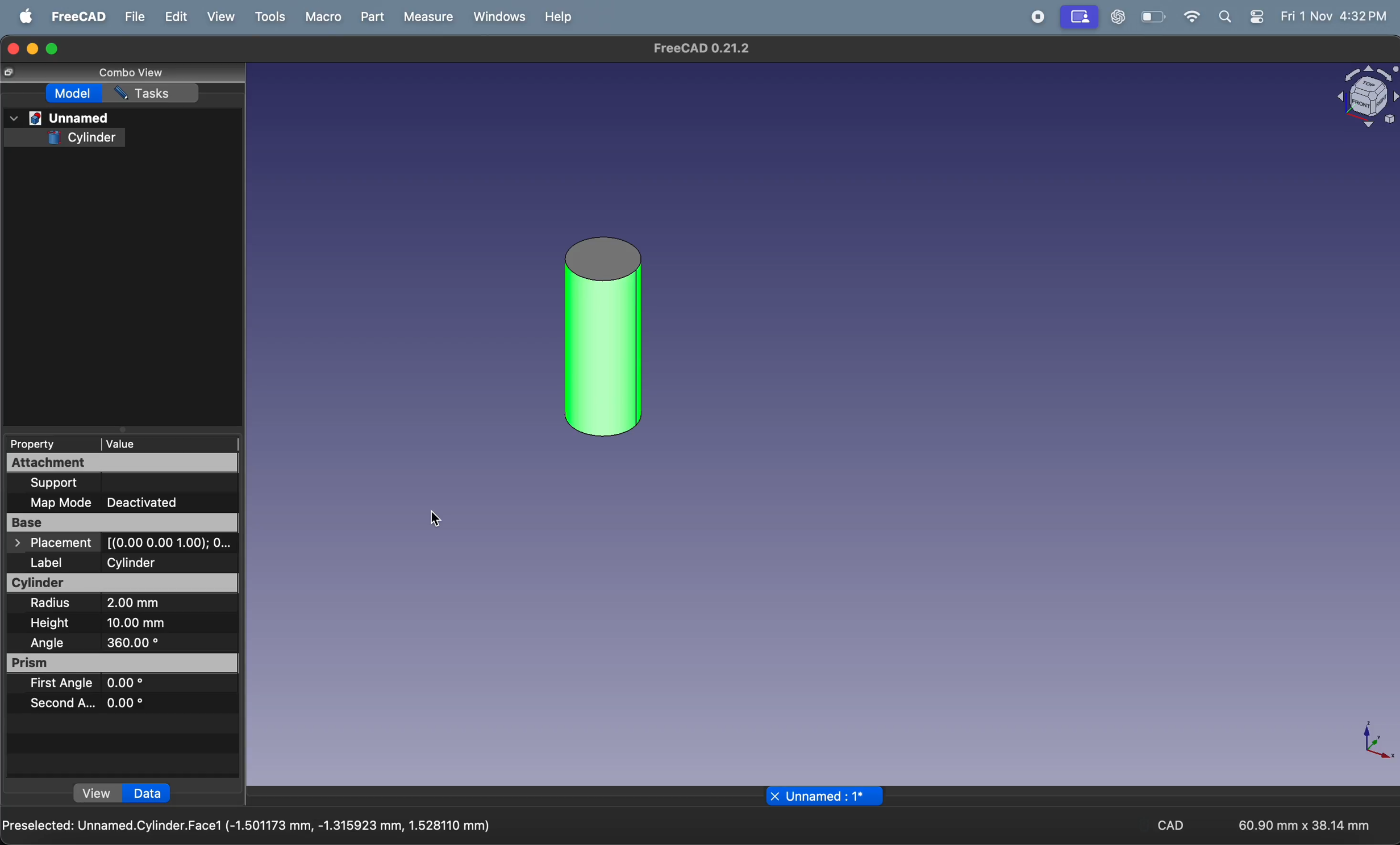 The width and height of the screenshot is (1400, 845). What do you see at coordinates (153, 93) in the screenshot?
I see `tasks` at bounding box center [153, 93].